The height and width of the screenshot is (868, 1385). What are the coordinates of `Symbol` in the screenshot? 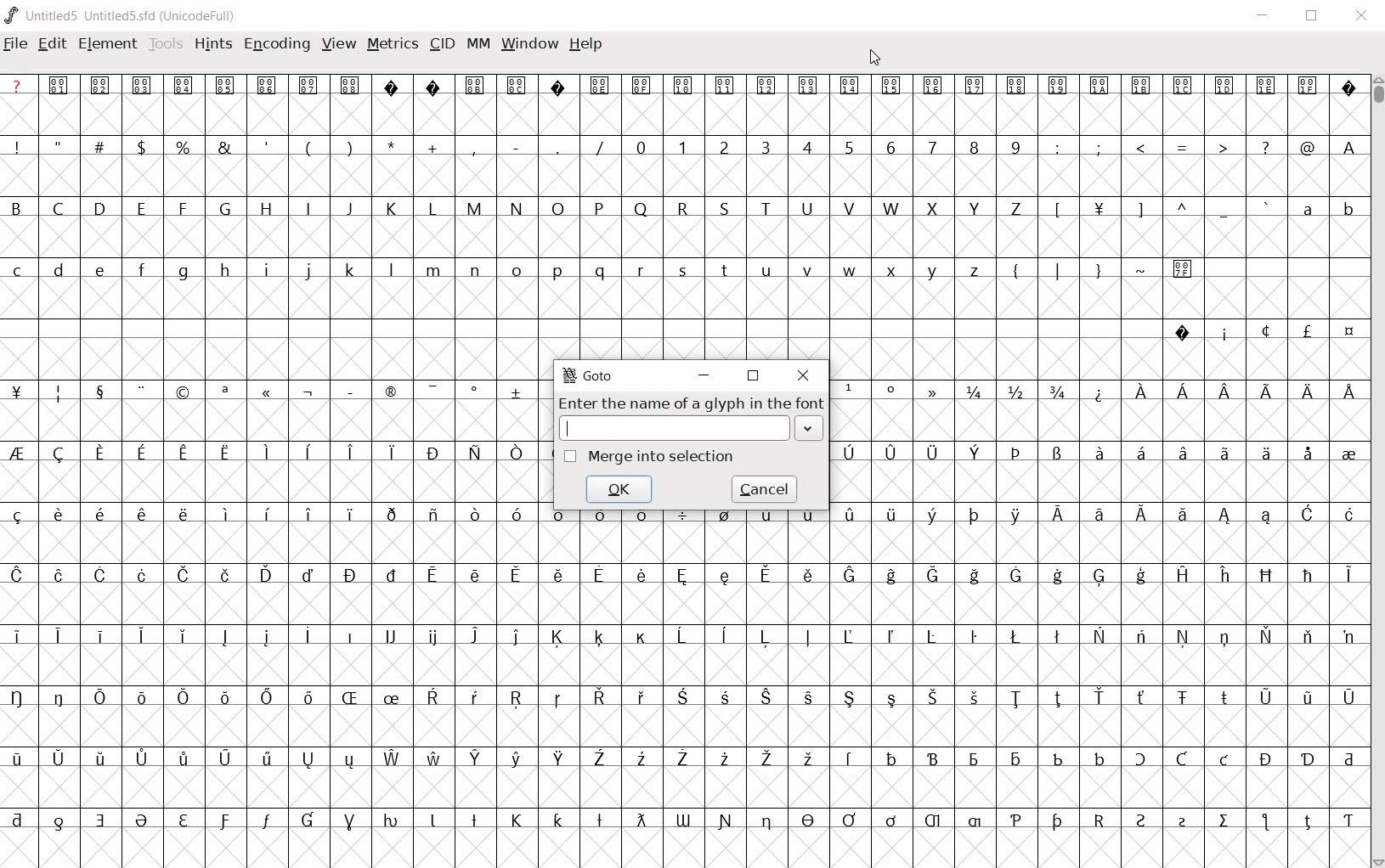 It's located at (184, 575).